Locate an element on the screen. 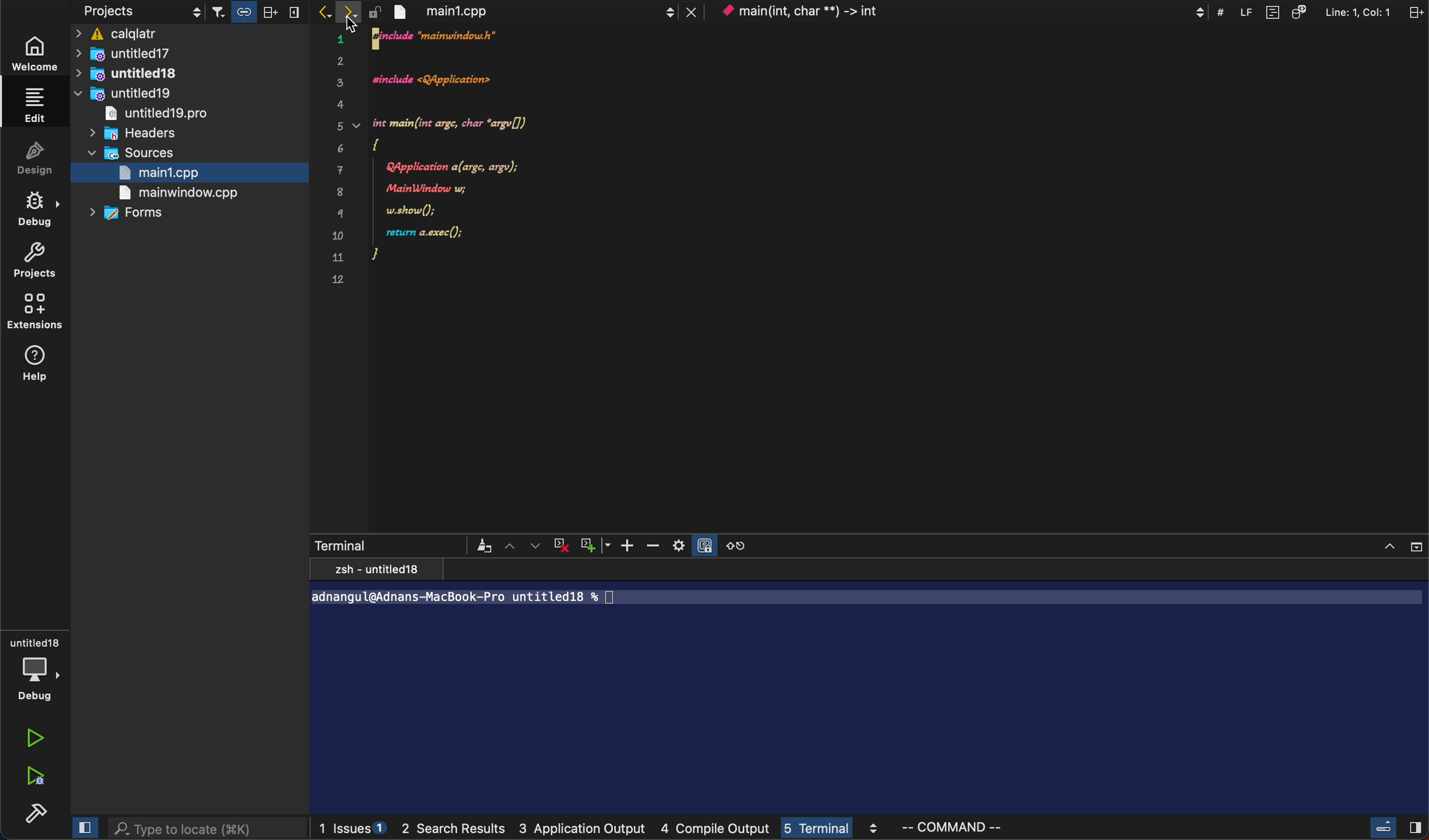  extensions is located at coordinates (35, 309).